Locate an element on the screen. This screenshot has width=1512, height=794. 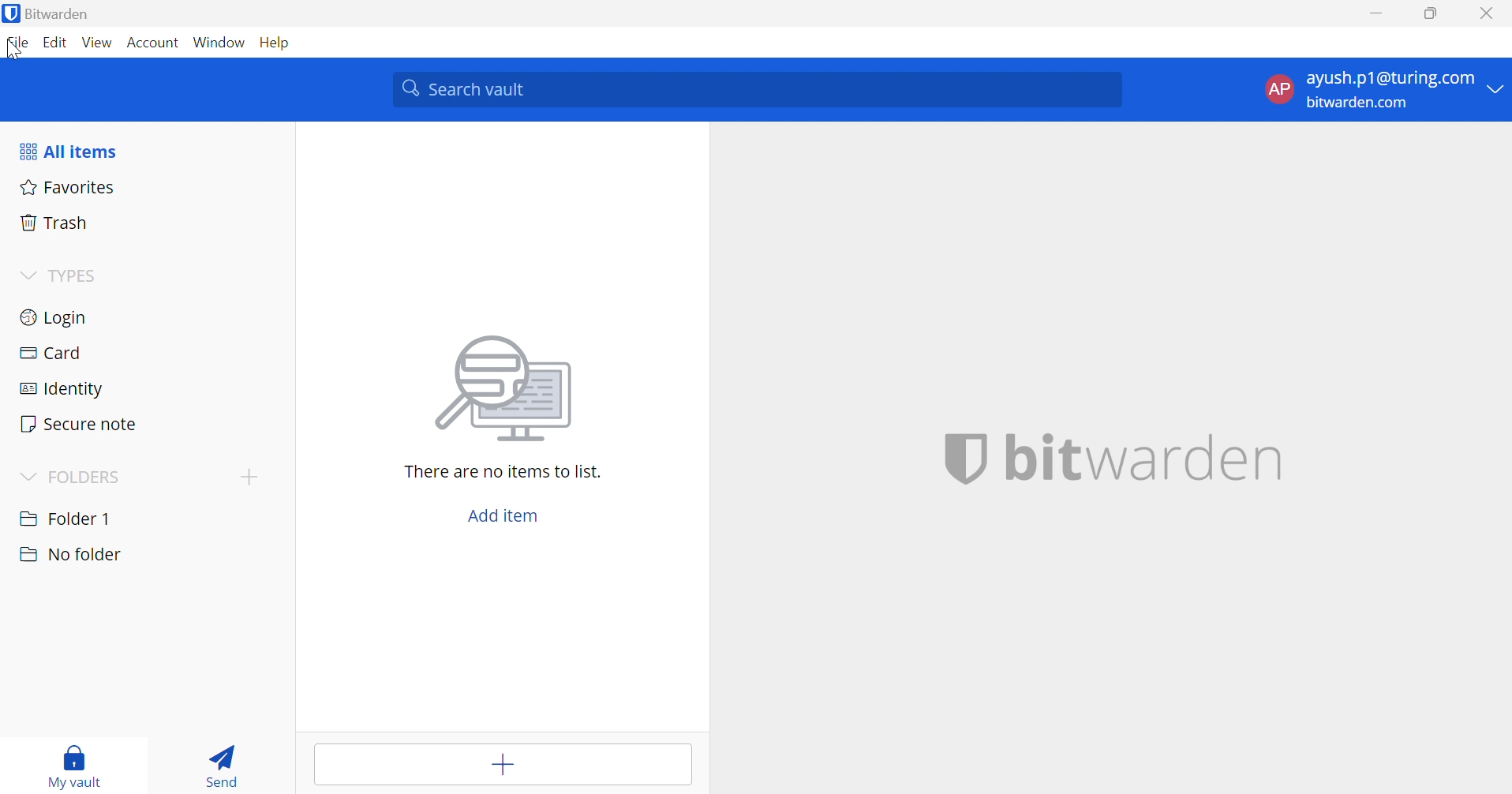
bitwarden logo is located at coordinates (9, 15).